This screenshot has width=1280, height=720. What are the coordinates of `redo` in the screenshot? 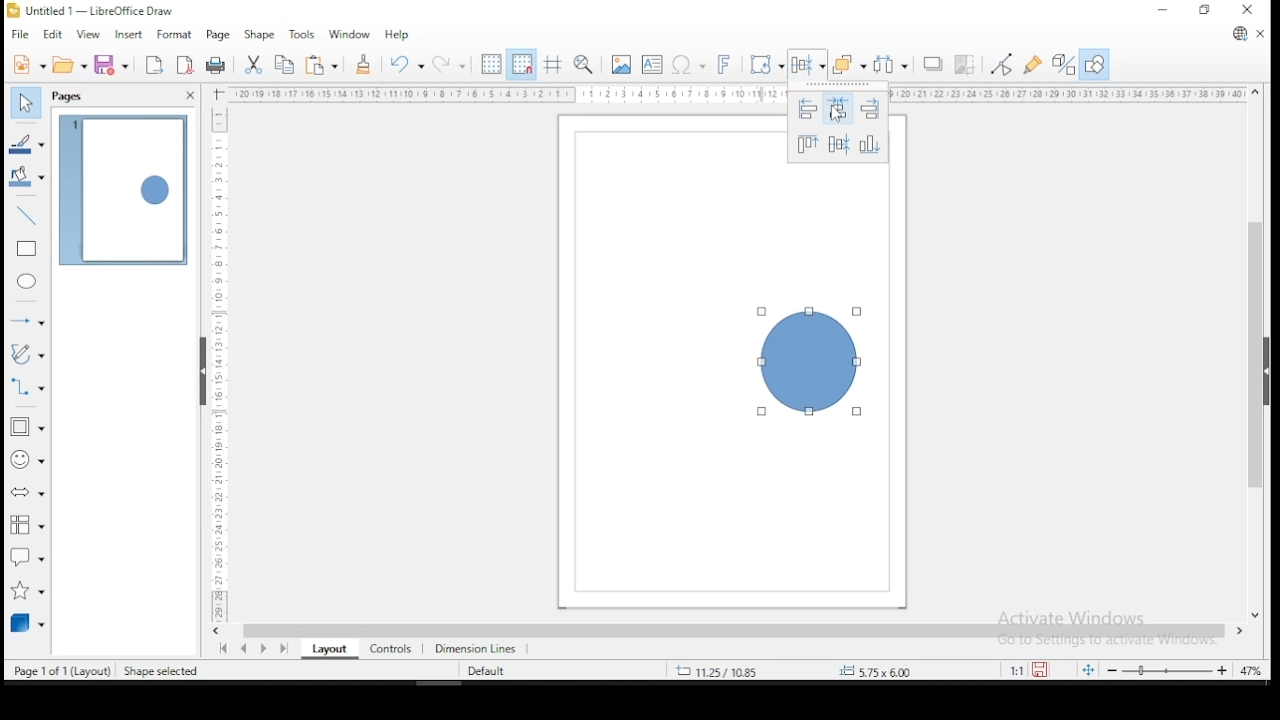 It's located at (448, 63).